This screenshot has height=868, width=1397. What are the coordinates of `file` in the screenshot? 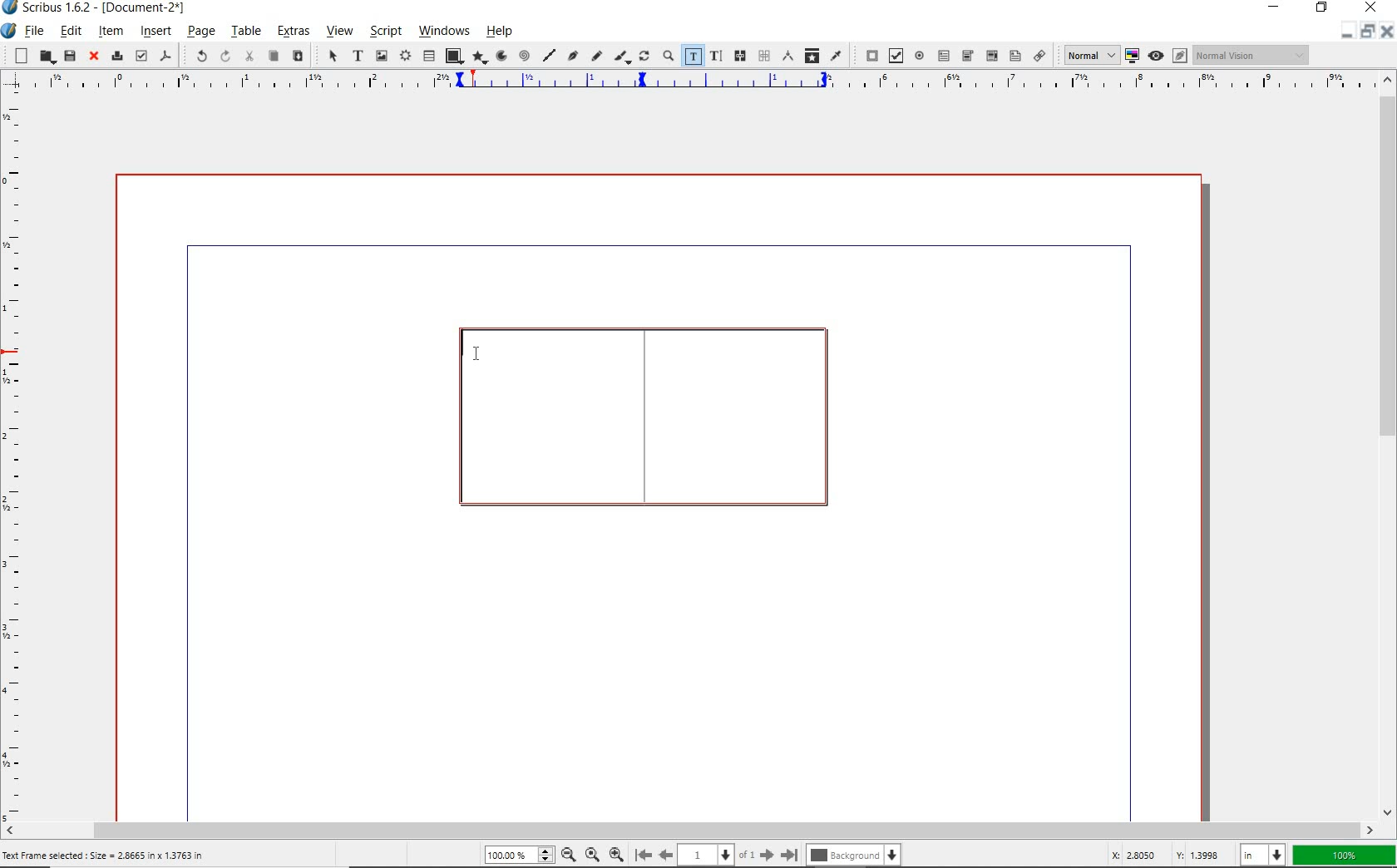 It's located at (32, 32).